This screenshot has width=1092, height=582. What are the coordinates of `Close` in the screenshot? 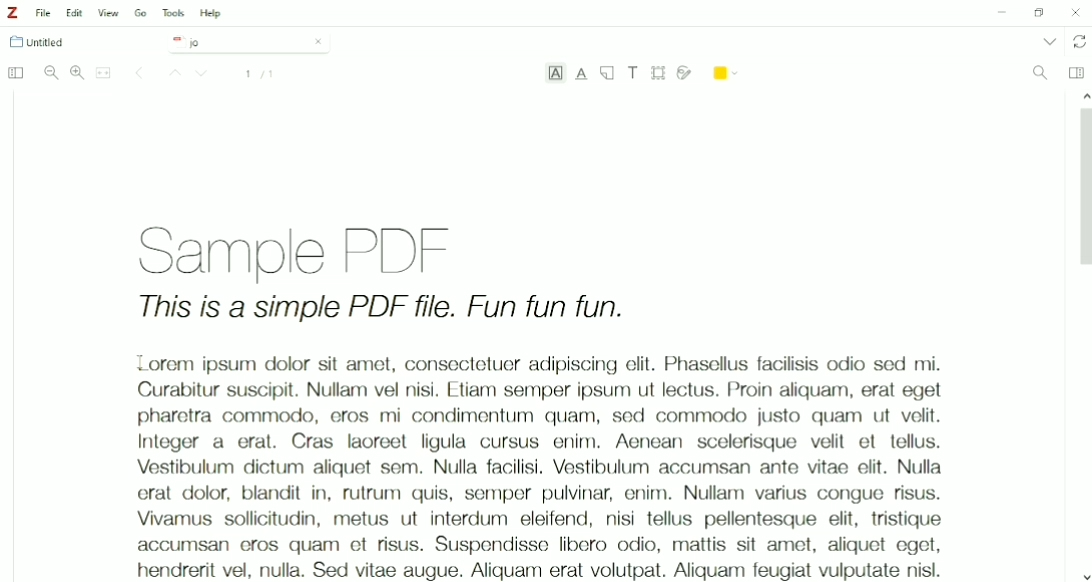 It's located at (1076, 12).